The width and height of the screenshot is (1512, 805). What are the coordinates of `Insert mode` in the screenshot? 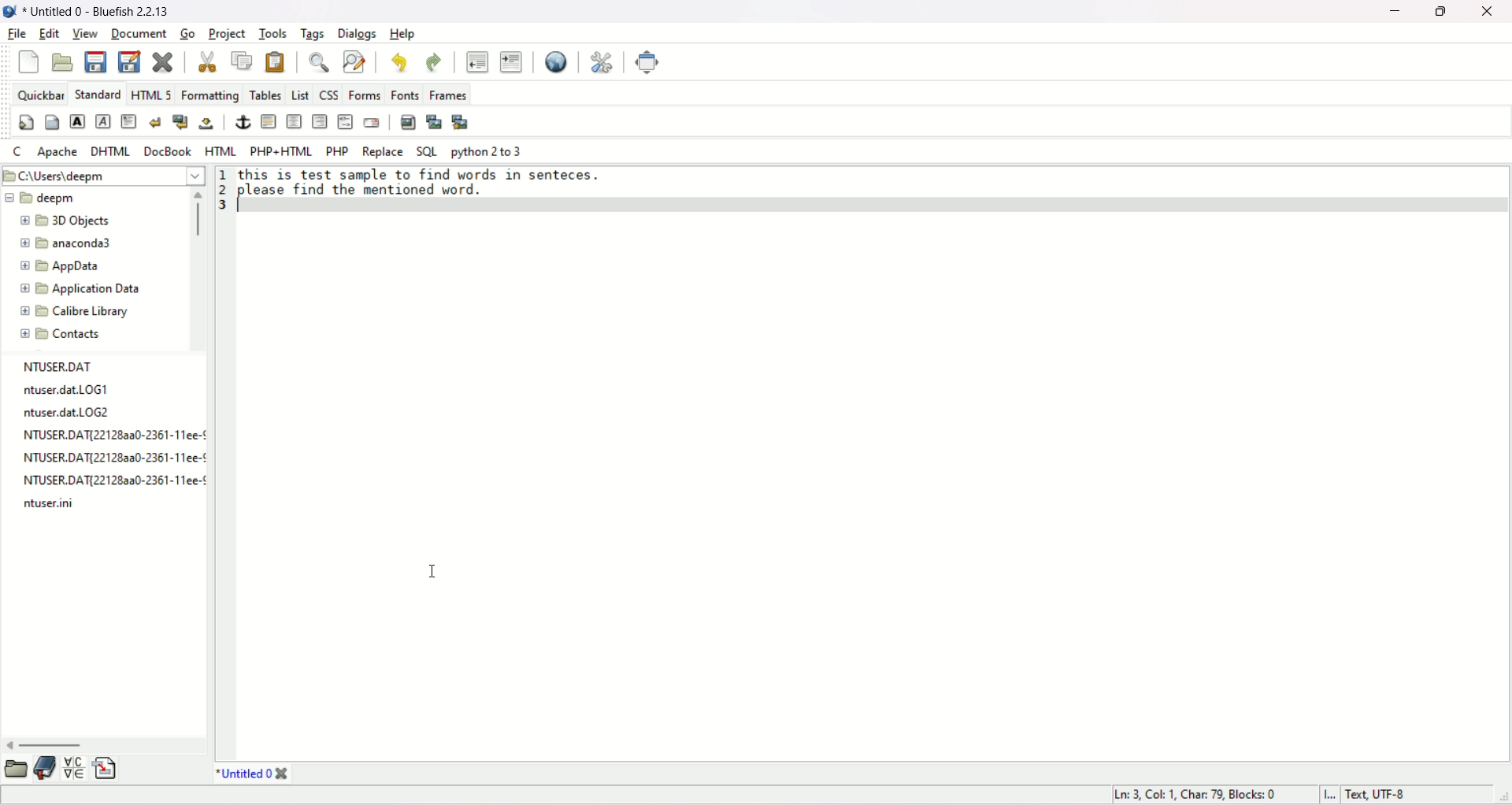 It's located at (1327, 793).